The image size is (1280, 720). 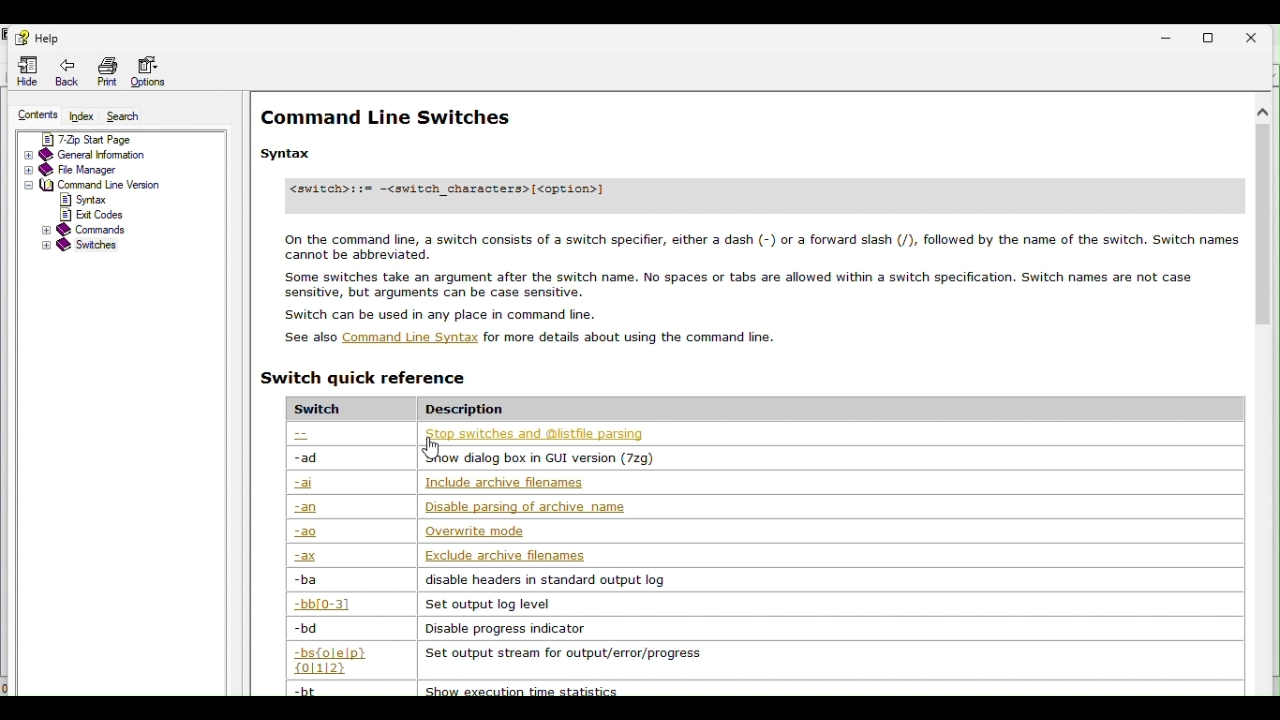 I want to click on ‘Set output stream for output/error/progress, so click(x=565, y=653).